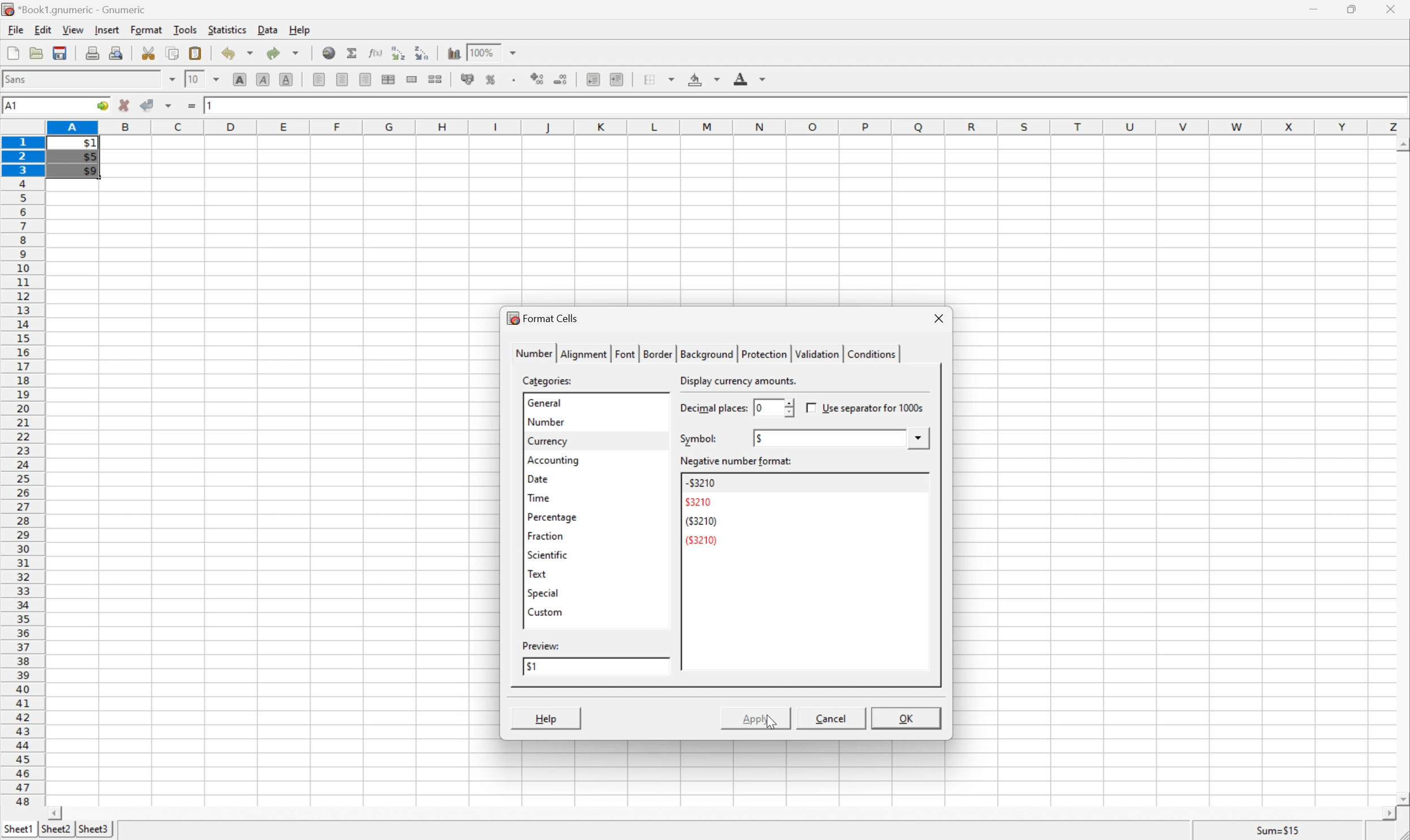 Image resolution: width=1410 pixels, height=840 pixels. I want to click on drop down, so click(920, 438).